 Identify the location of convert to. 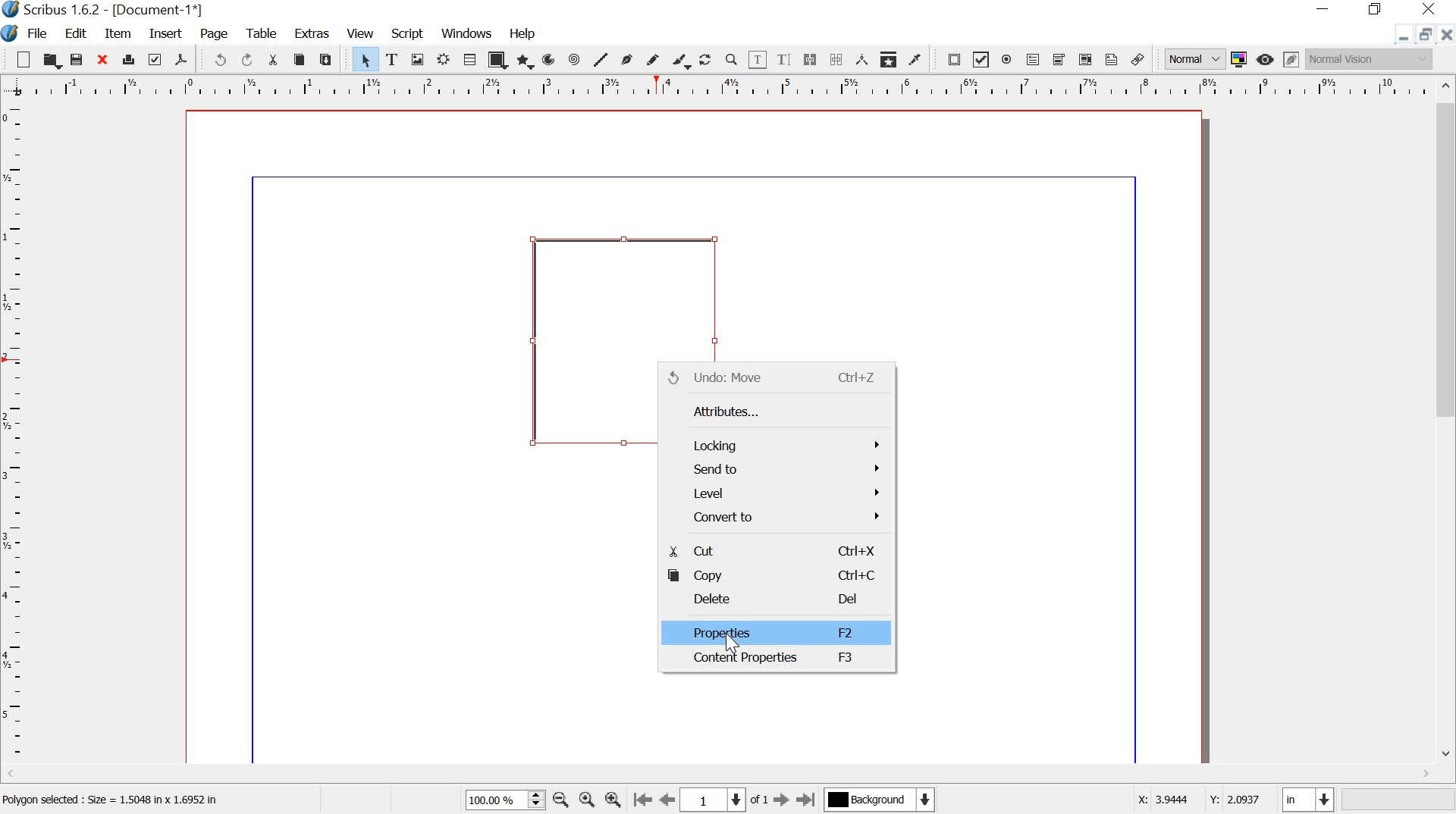
(780, 517).